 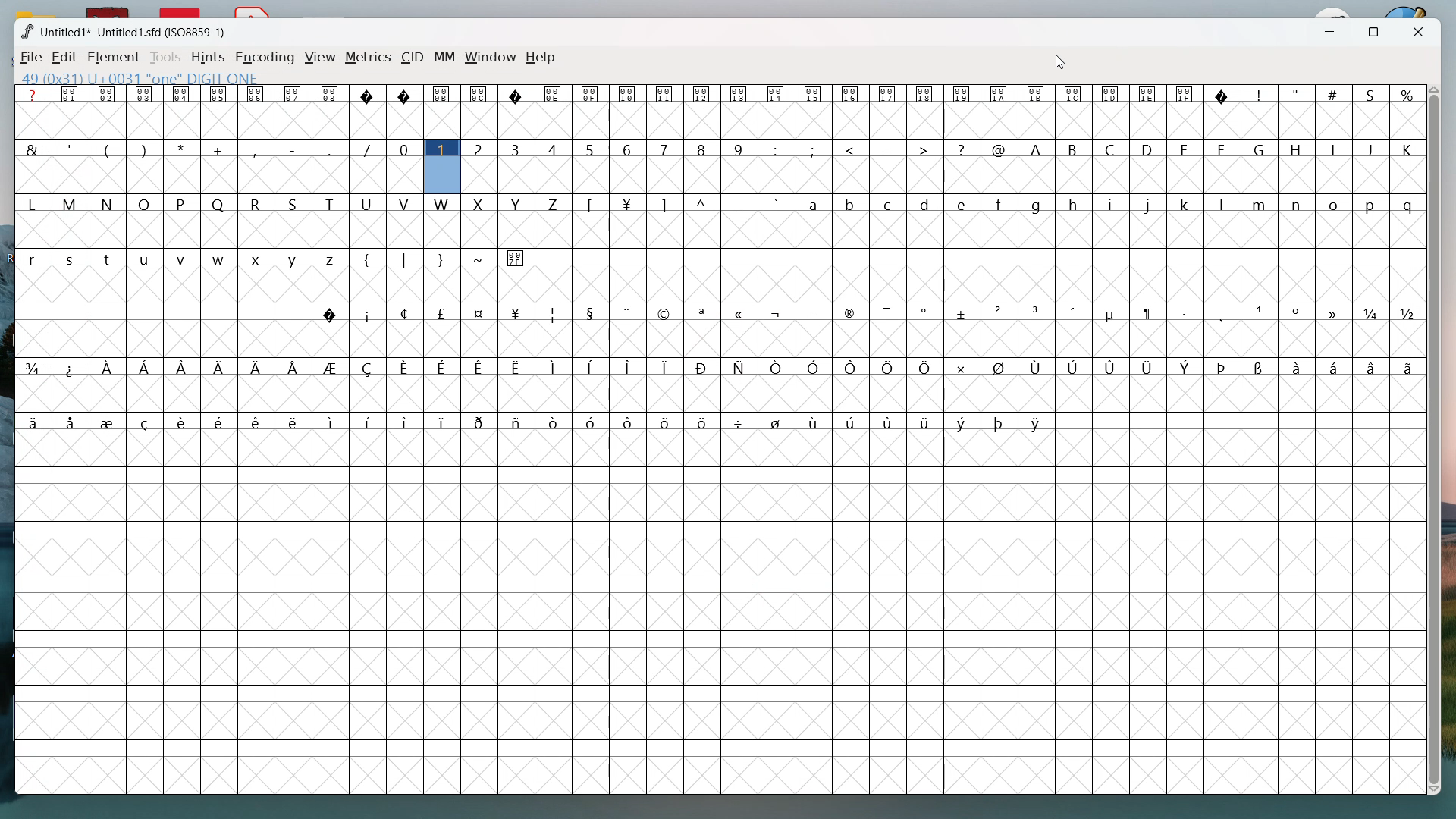 I want to click on ^, so click(x=704, y=203).